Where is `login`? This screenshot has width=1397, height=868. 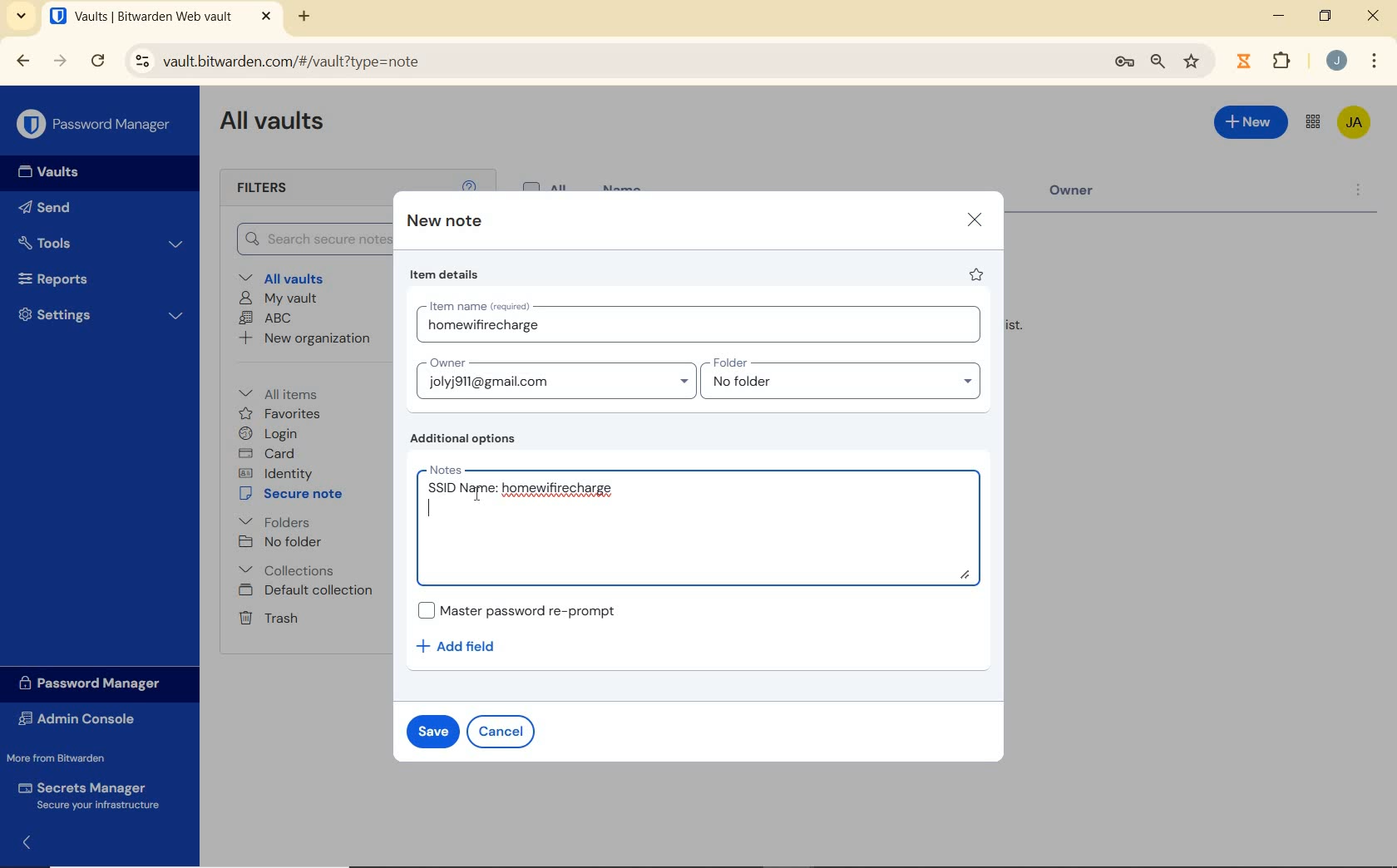 login is located at coordinates (271, 433).